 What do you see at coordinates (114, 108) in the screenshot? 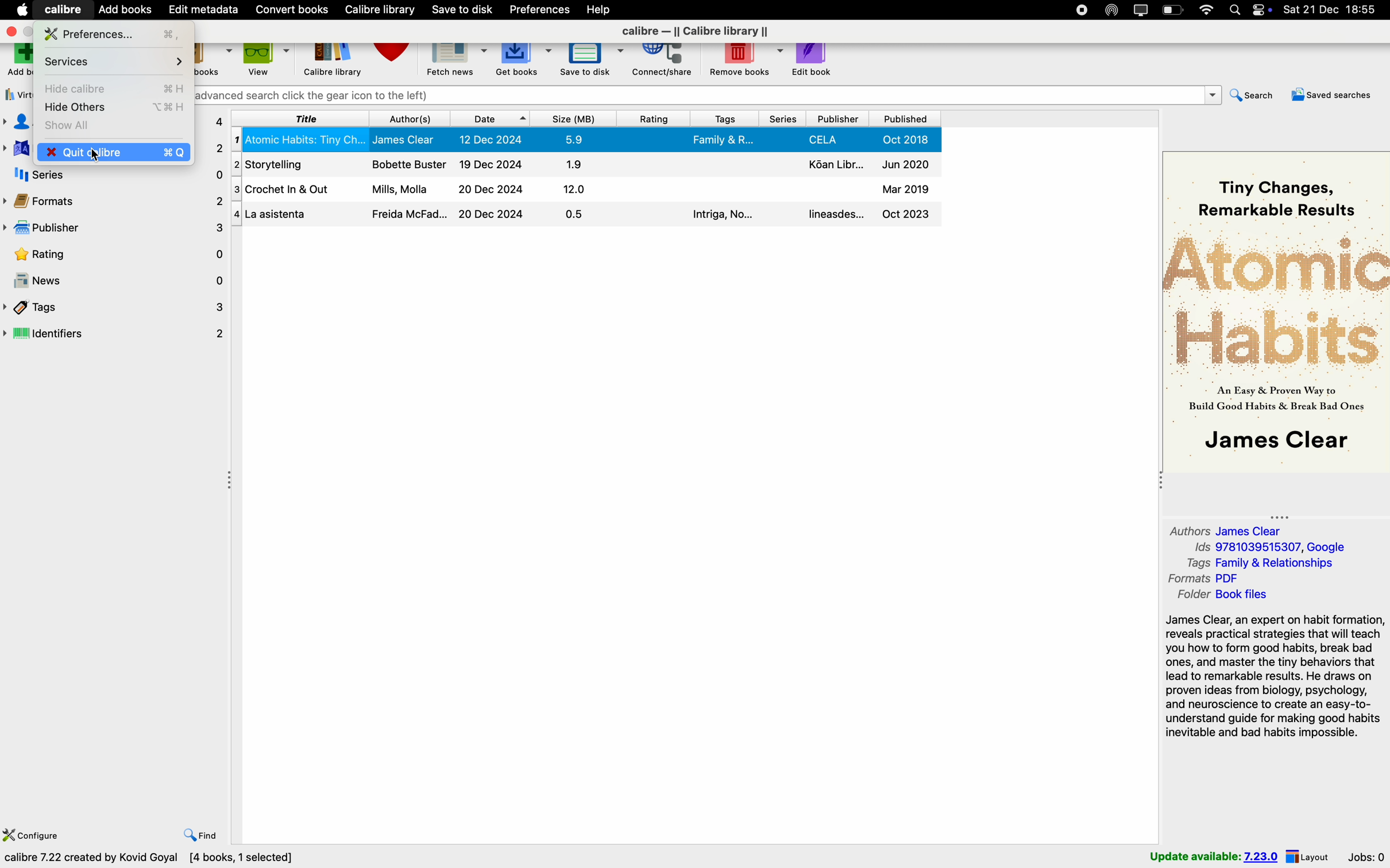
I see `hide others` at bounding box center [114, 108].